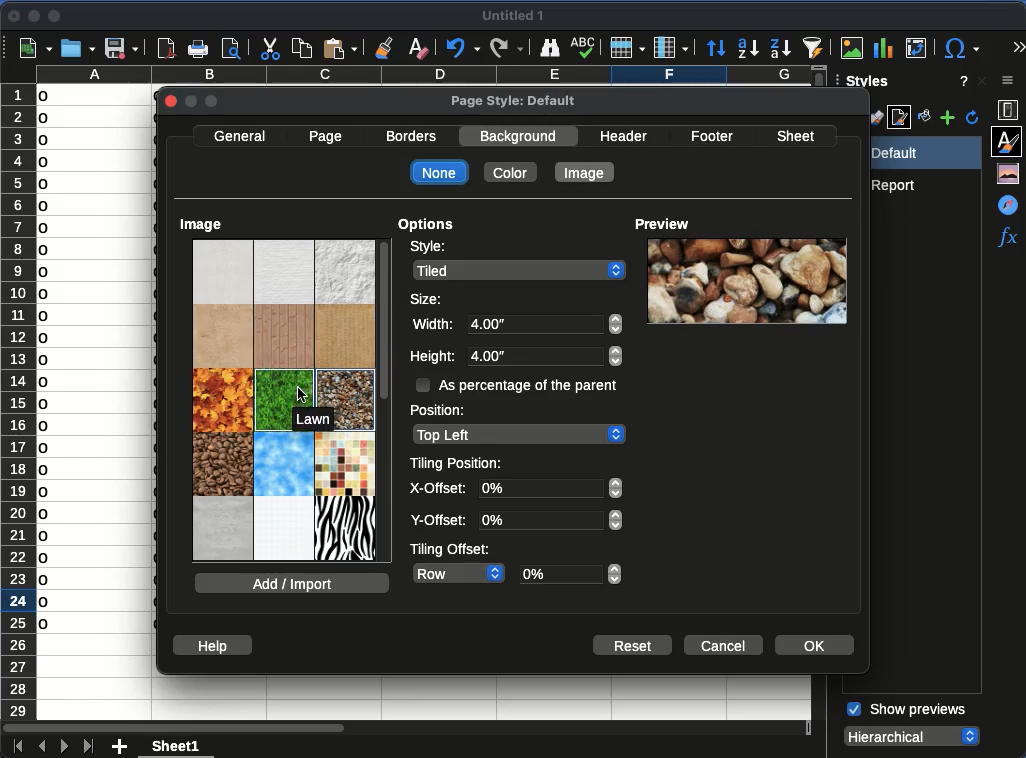 This screenshot has width=1026, height=758. I want to click on image, so click(203, 225).